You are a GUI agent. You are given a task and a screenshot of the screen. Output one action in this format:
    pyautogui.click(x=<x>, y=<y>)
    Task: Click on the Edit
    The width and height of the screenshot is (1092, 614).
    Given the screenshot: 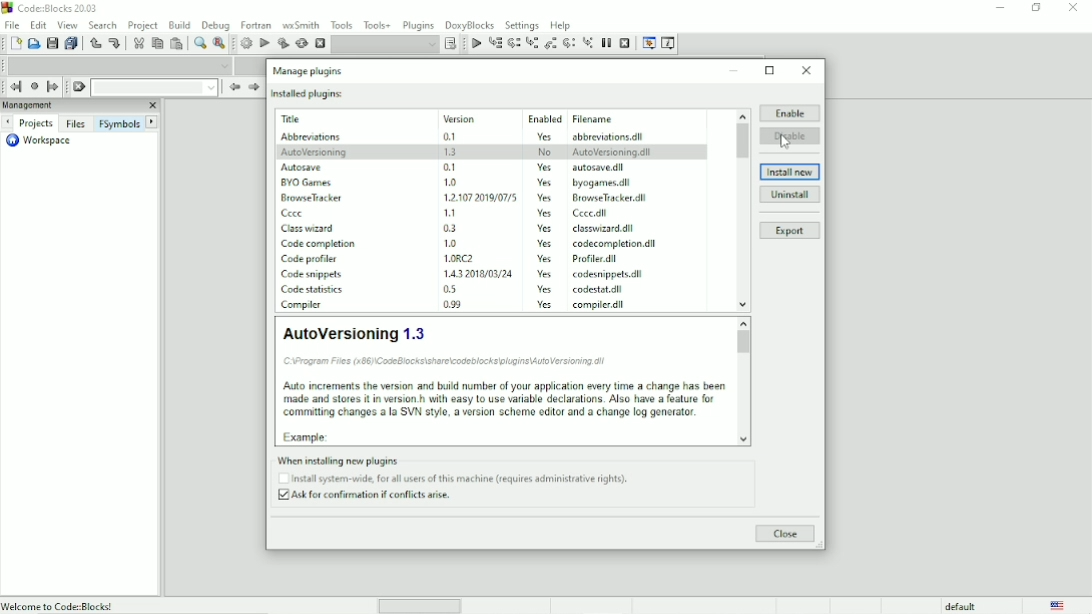 What is the action you would take?
    pyautogui.click(x=39, y=24)
    